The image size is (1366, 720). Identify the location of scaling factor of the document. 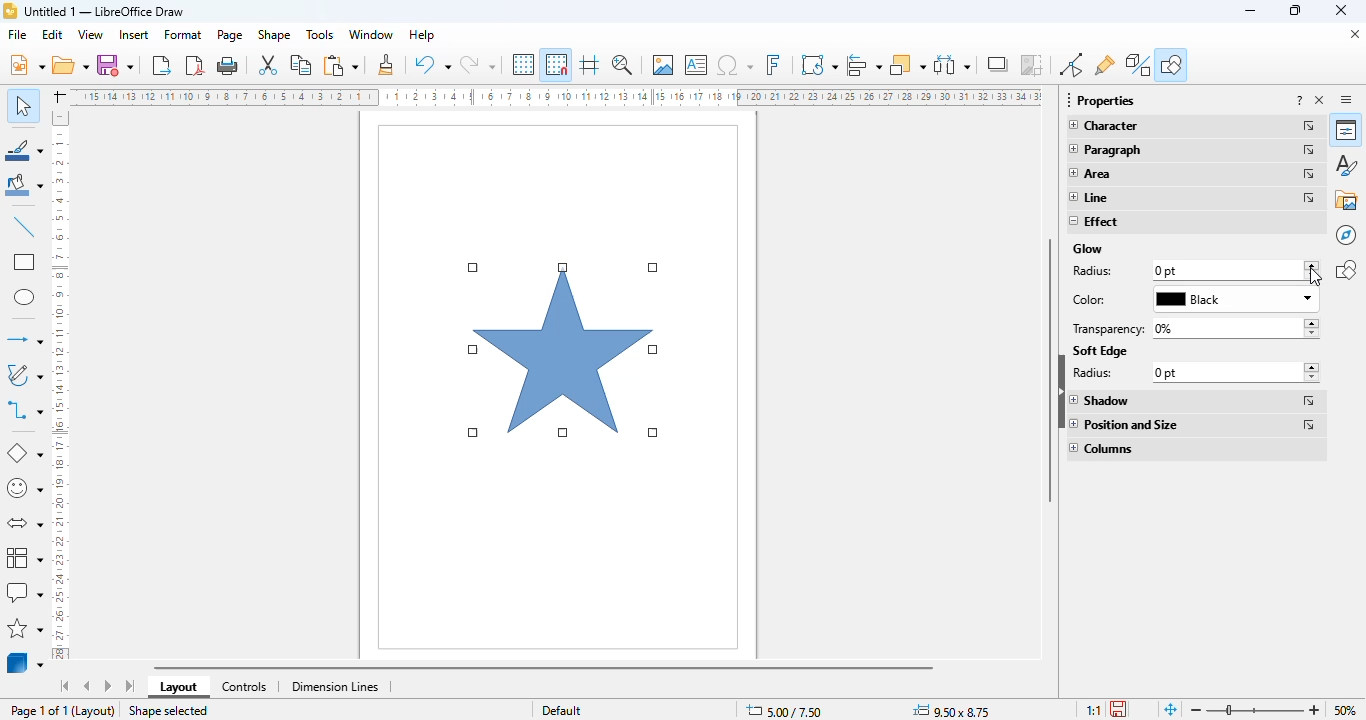
(1093, 709).